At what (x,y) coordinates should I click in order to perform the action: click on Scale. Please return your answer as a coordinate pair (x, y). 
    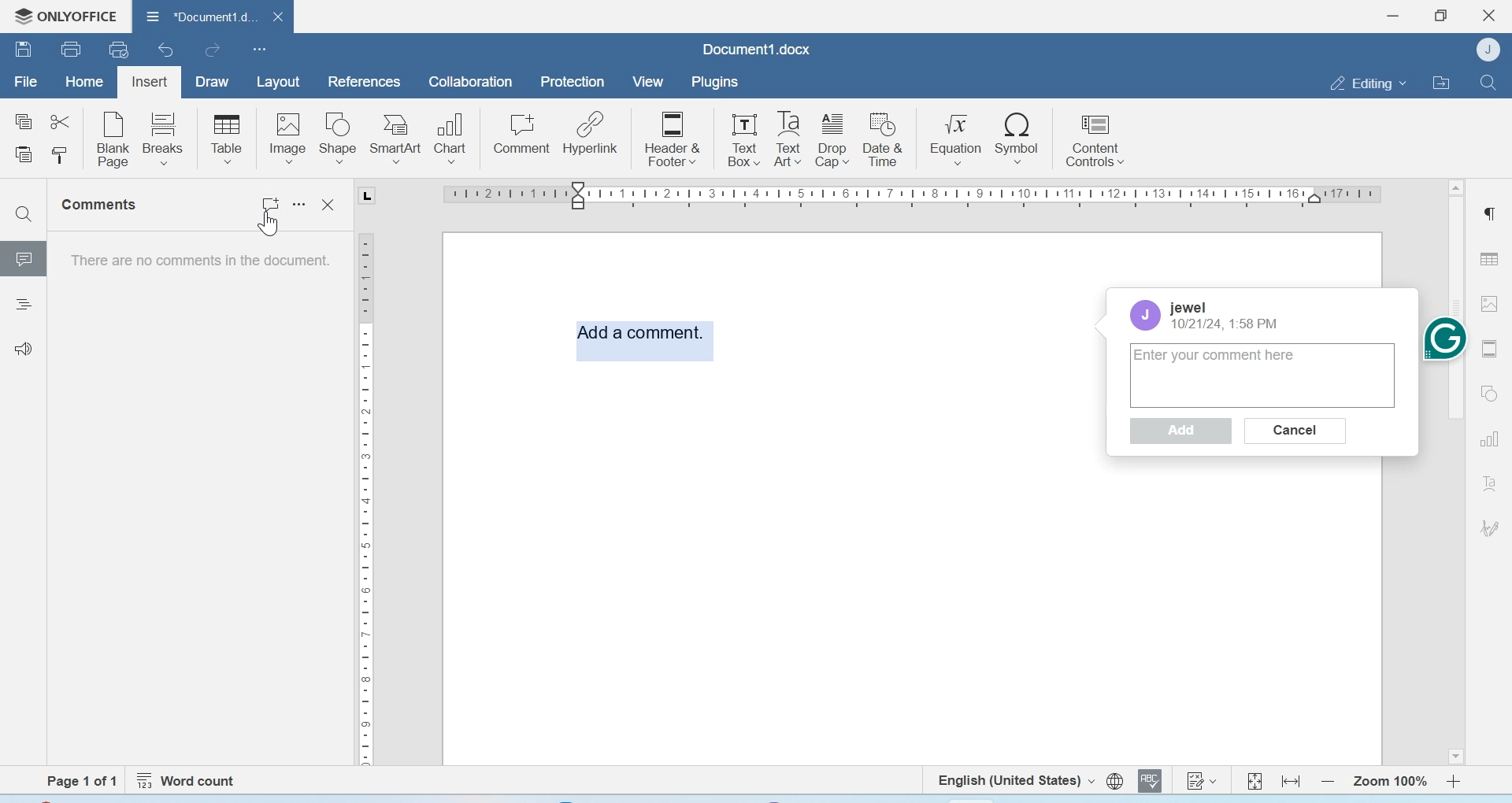
    Looking at the image, I should click on (369, 496).